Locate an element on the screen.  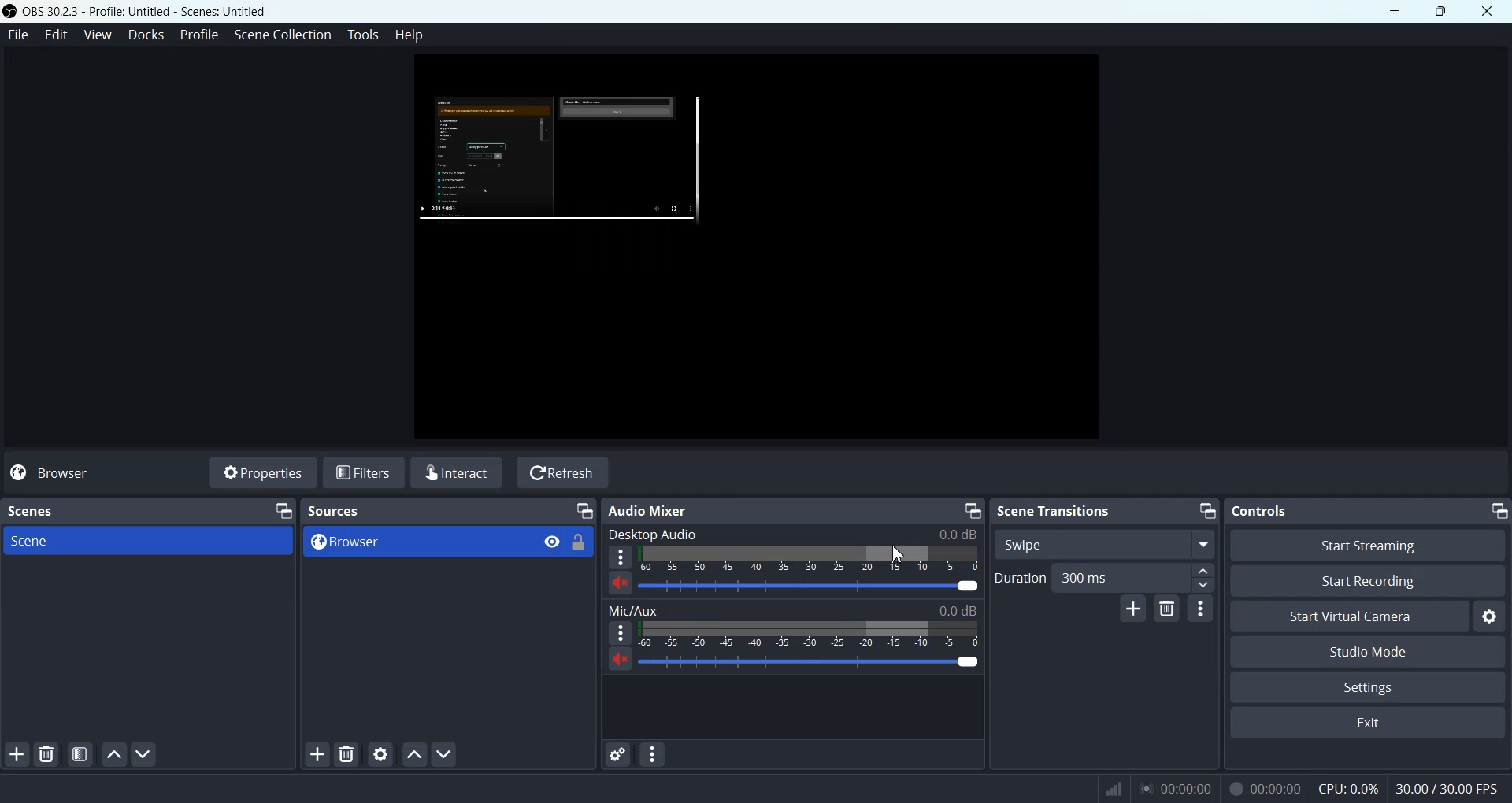
View is located at coordinates (101, 34).